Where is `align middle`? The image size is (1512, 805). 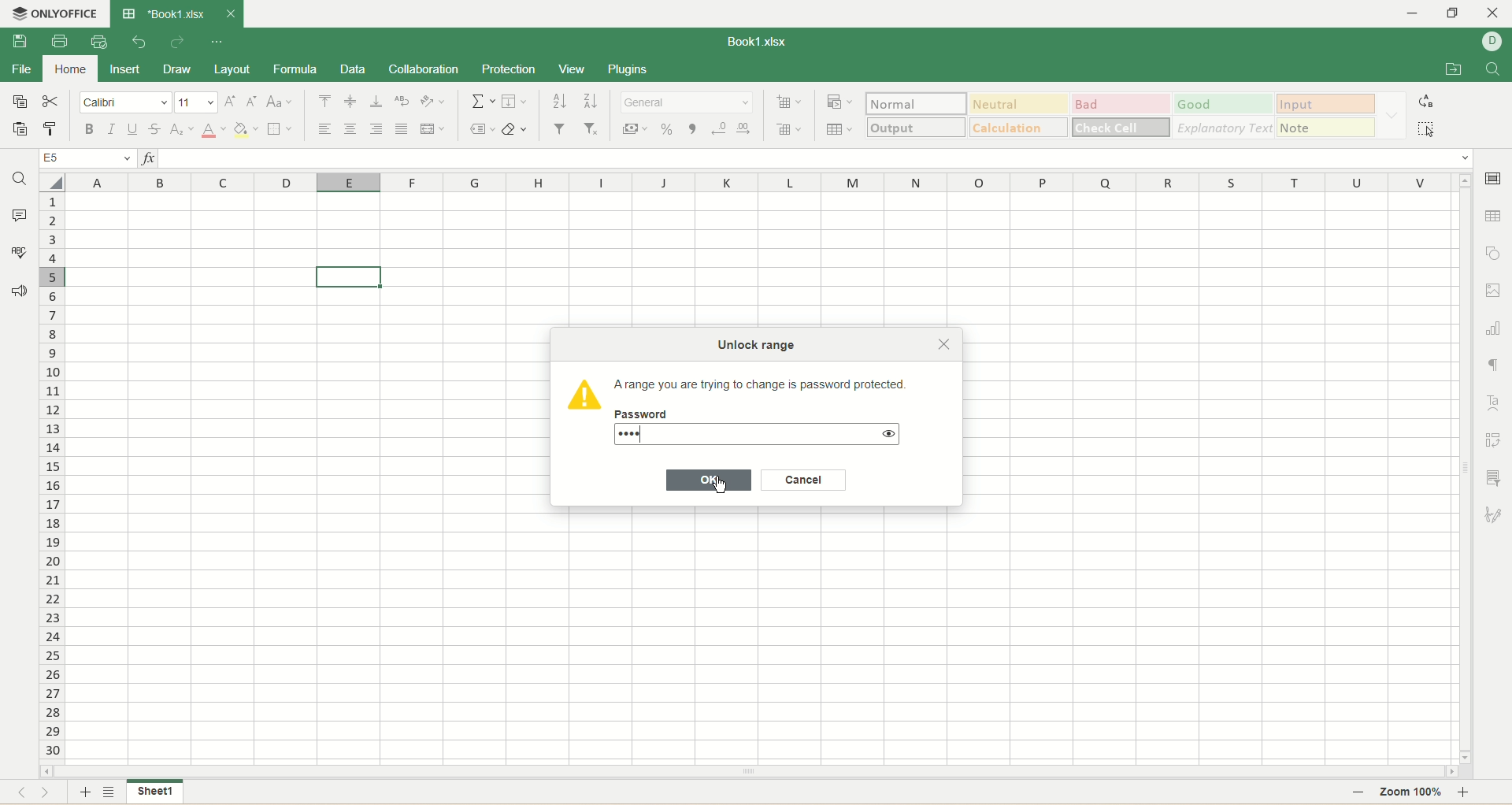 align middle is located at coordinates (350, 102).